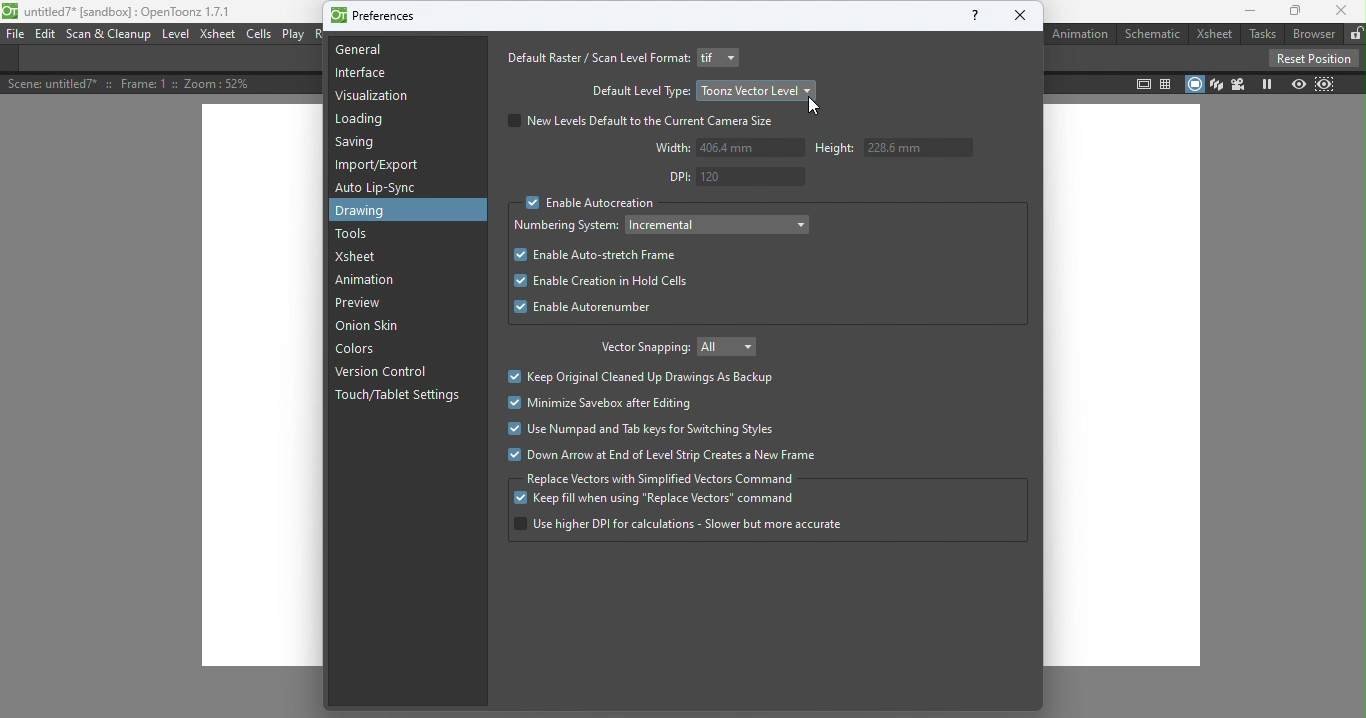  Describe the element at coordinates (819, 110) in the screenshot. I see `cursor` at that location.